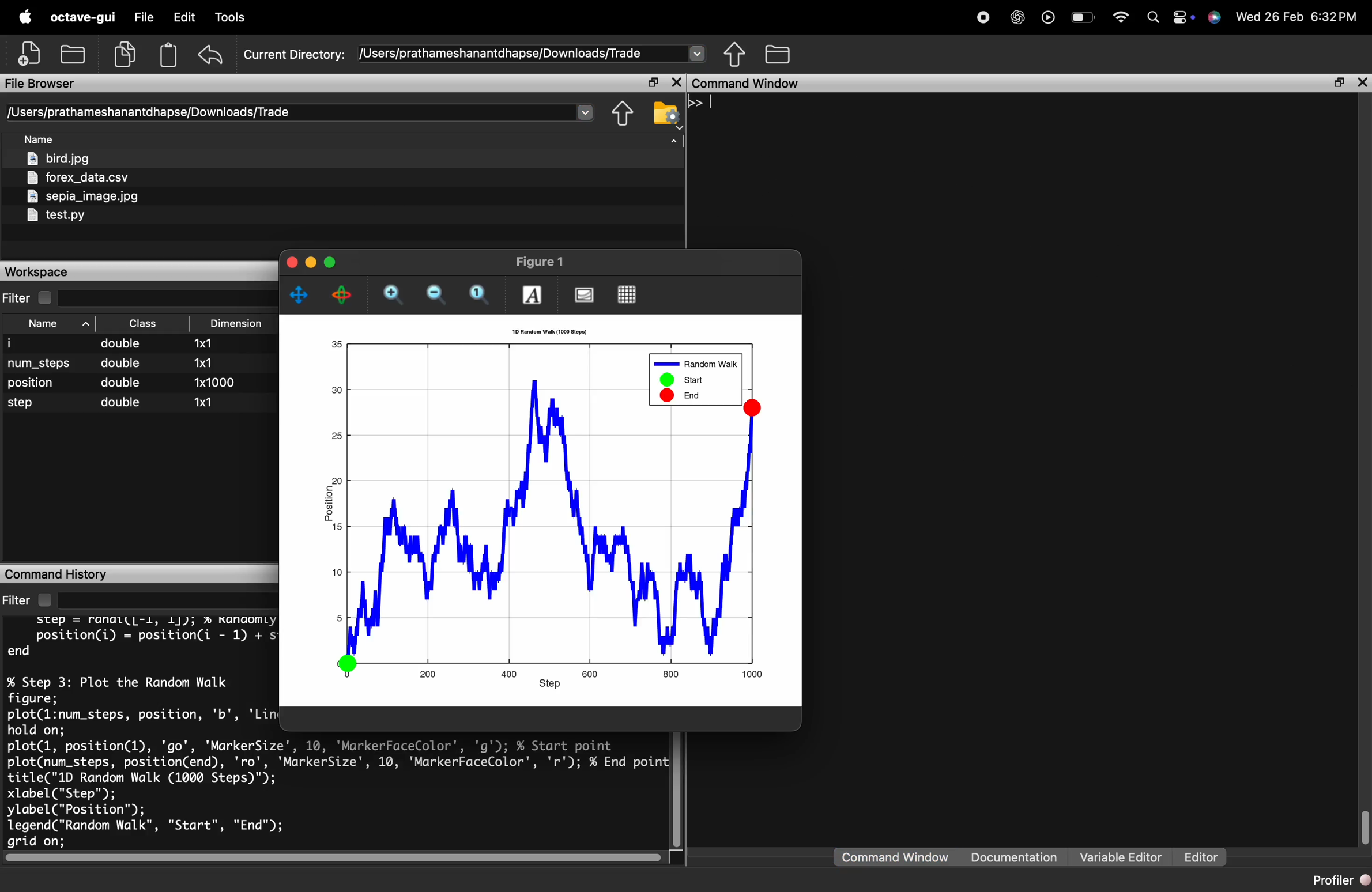  What do you see at coordinates (438, 294) in the screenshot?
I see `zoom out` at bounding box center [438, 294].